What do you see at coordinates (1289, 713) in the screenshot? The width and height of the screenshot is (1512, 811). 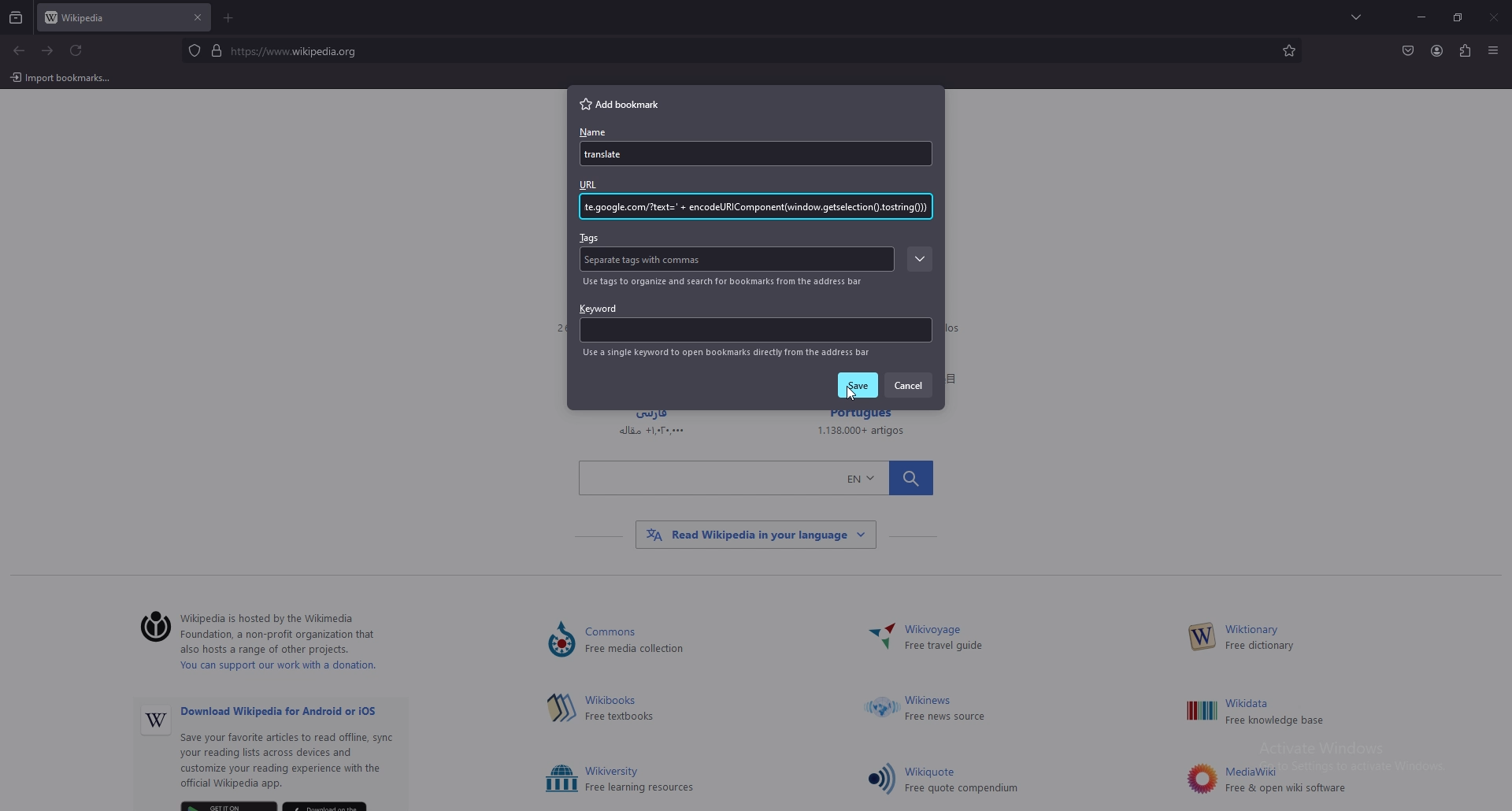 I see `` at bounding box center [1289, 713].